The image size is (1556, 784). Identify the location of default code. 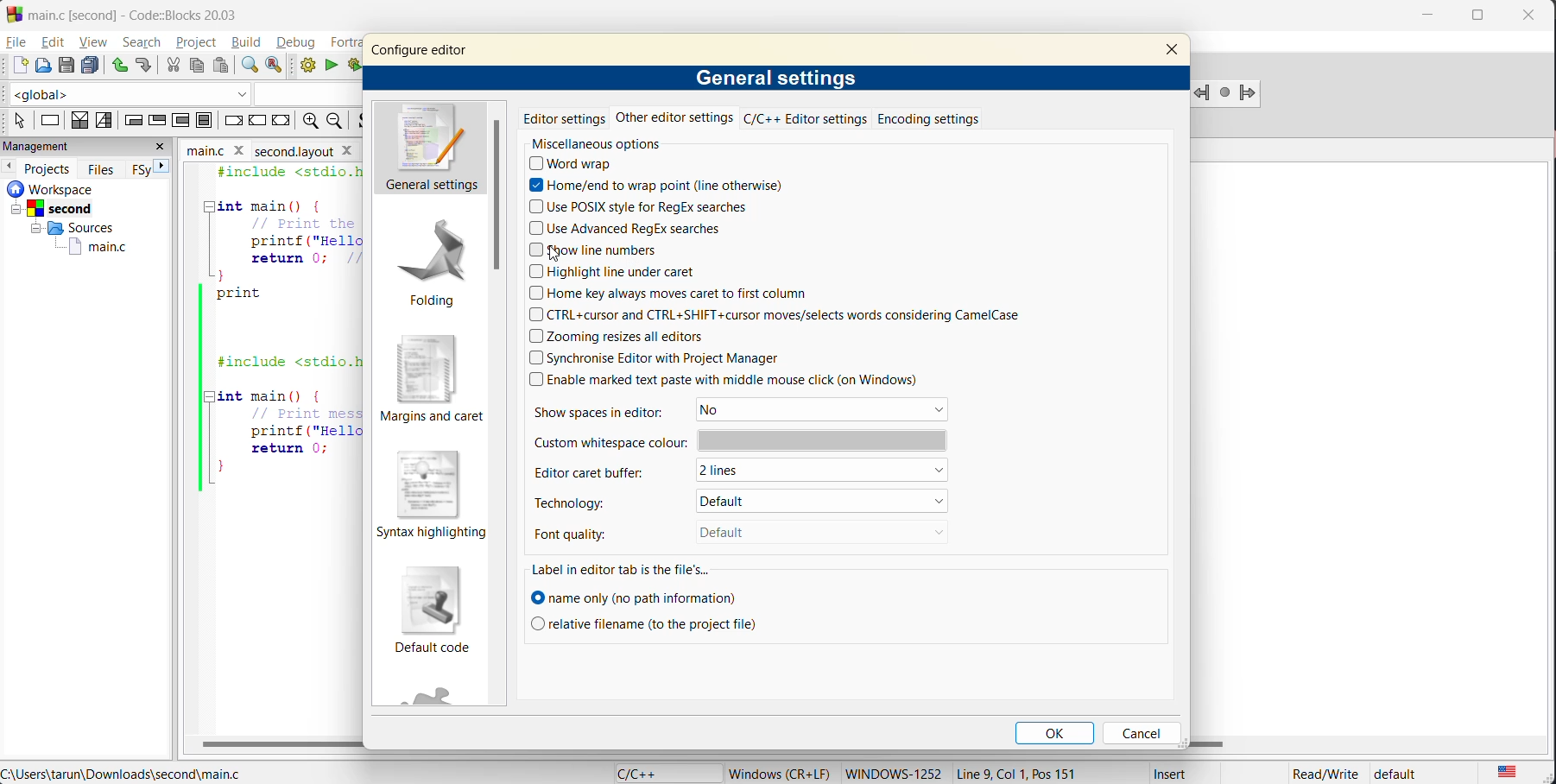
(436, 612).